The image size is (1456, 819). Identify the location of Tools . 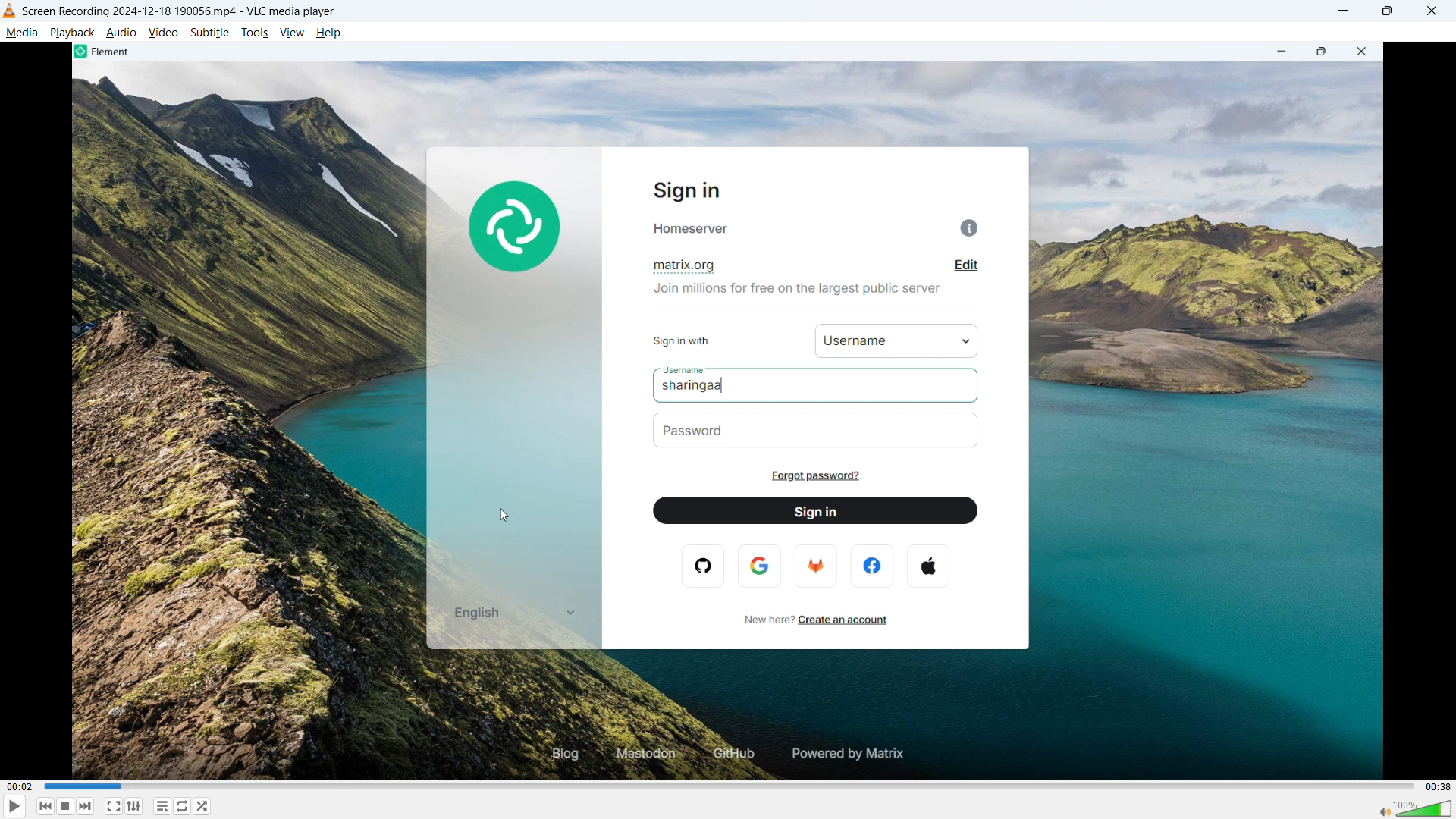
(254, 33).